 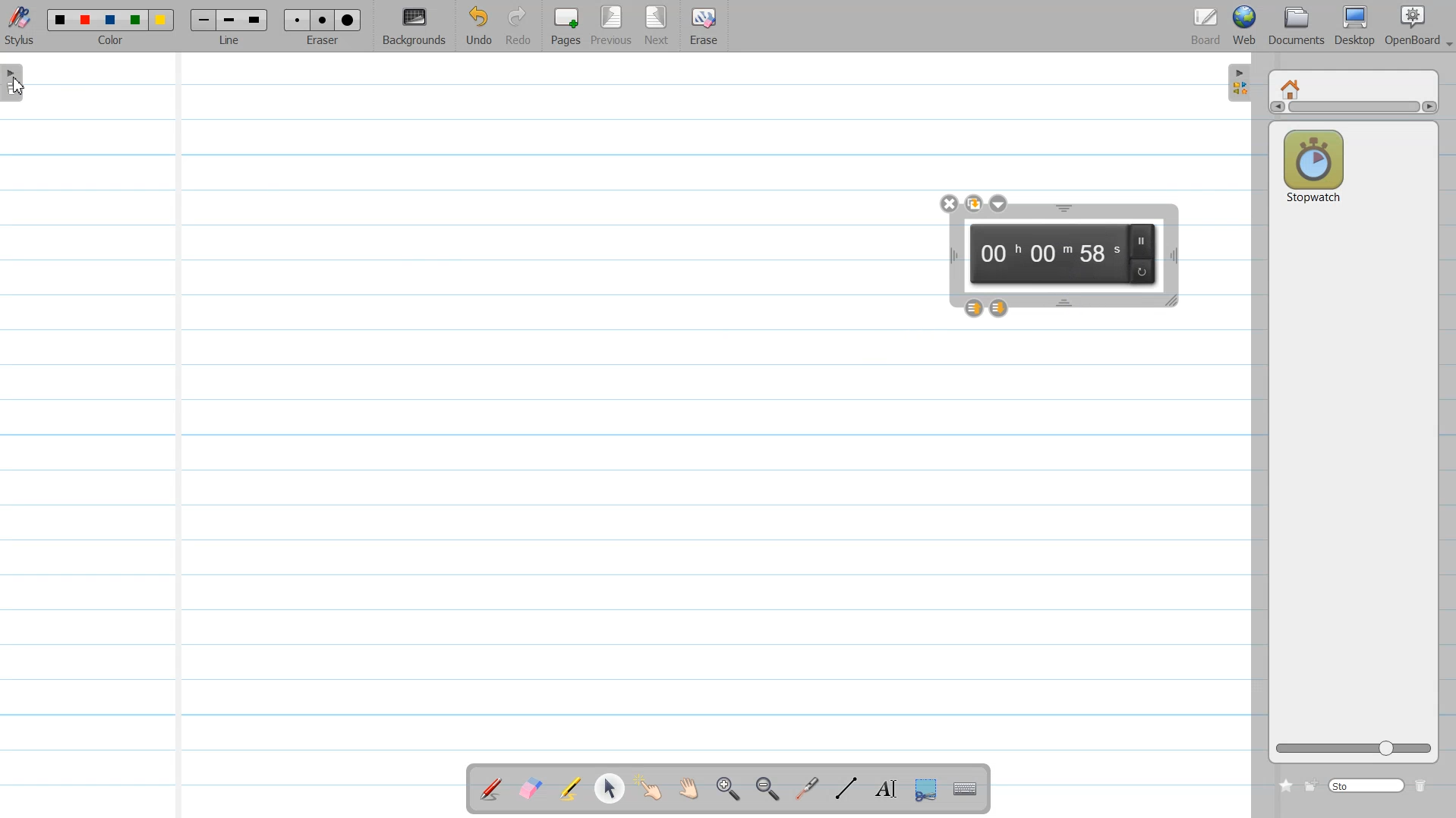 I want to click on close, so click(x=949, y=203).